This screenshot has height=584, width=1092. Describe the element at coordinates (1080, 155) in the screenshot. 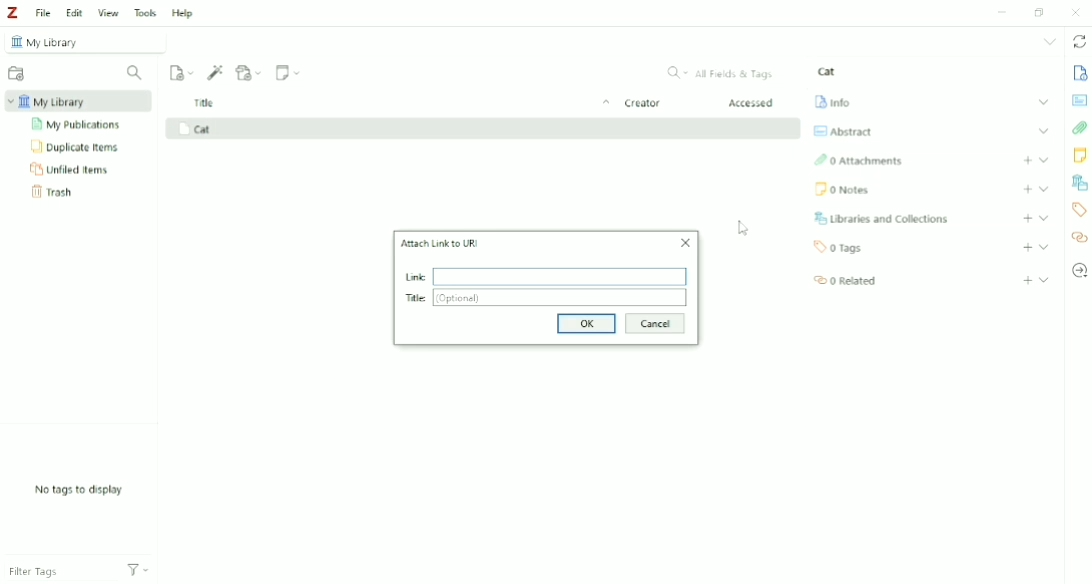

I see `Notes` at that location.